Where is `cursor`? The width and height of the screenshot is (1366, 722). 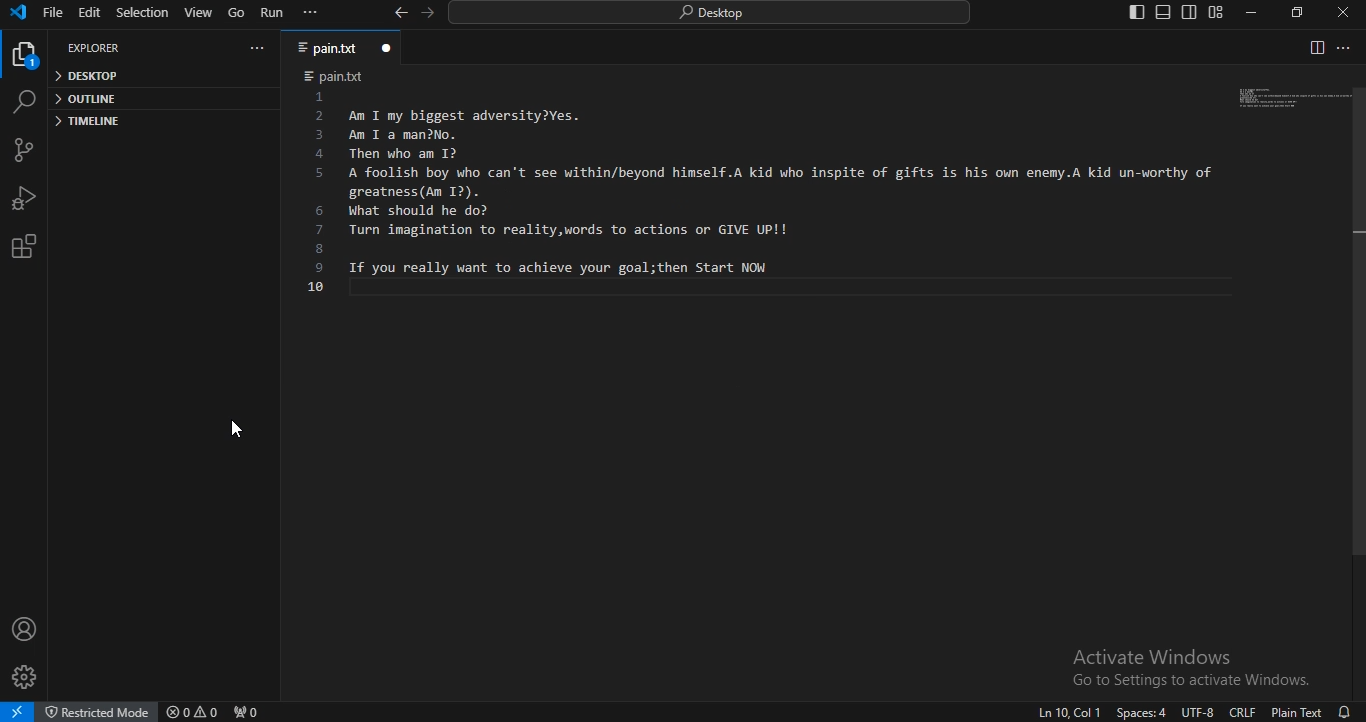
cursor is located at coordinates (236, 430).